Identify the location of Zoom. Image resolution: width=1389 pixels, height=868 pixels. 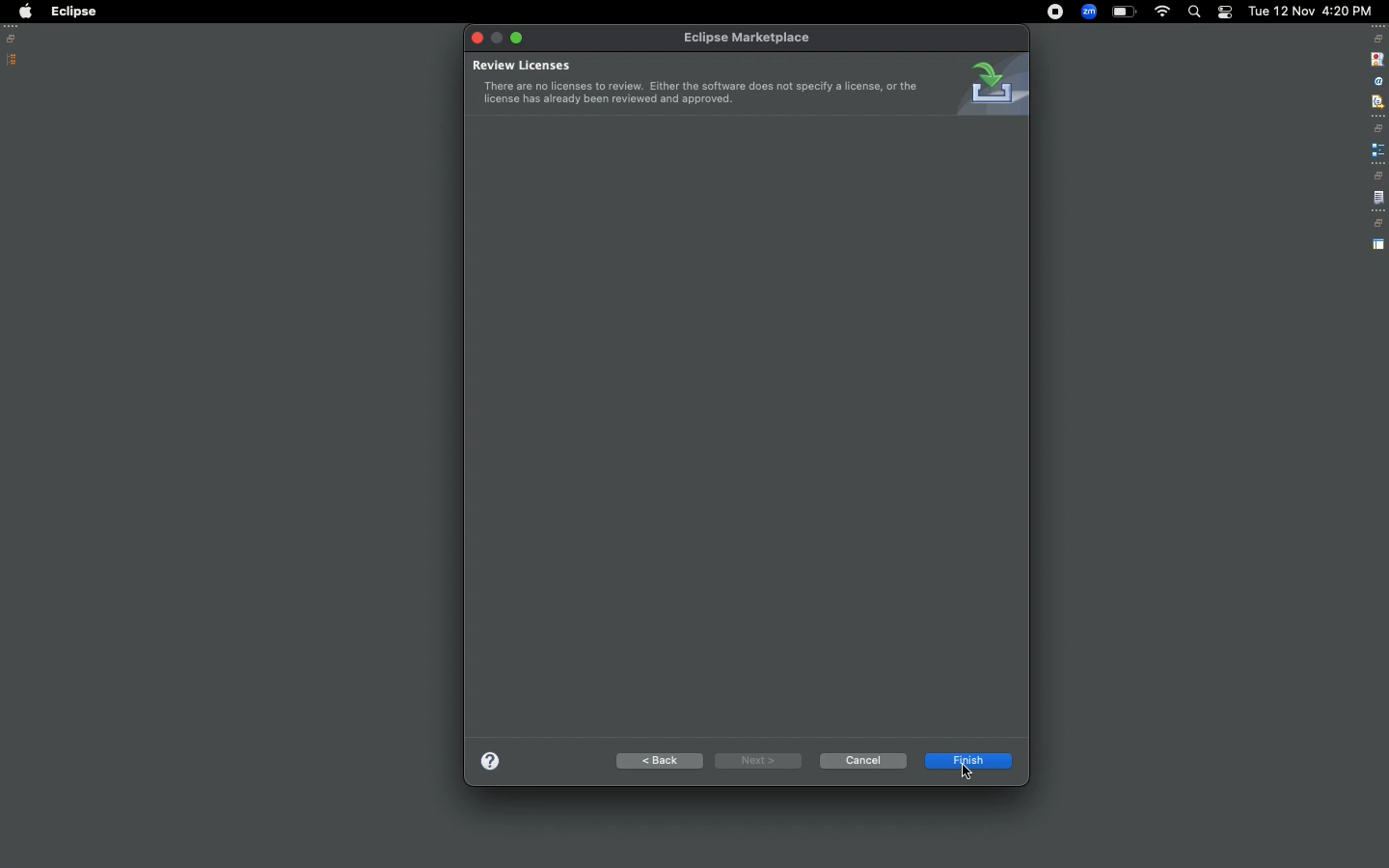
(1088, 12).